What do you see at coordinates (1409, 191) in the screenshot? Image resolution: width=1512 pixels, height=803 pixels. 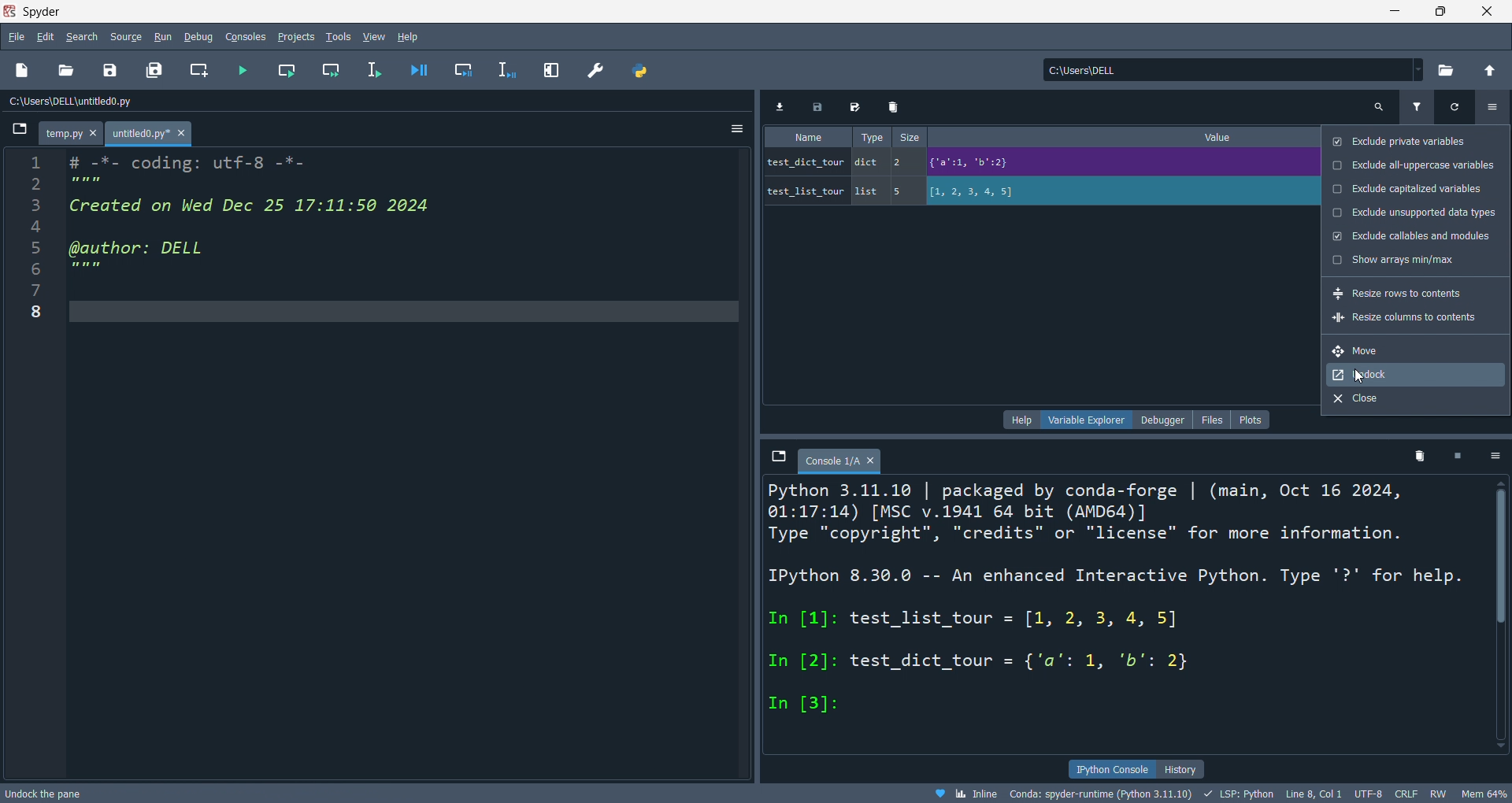 I see `exclude capitalized variables` at bounding box center [1409, 191].